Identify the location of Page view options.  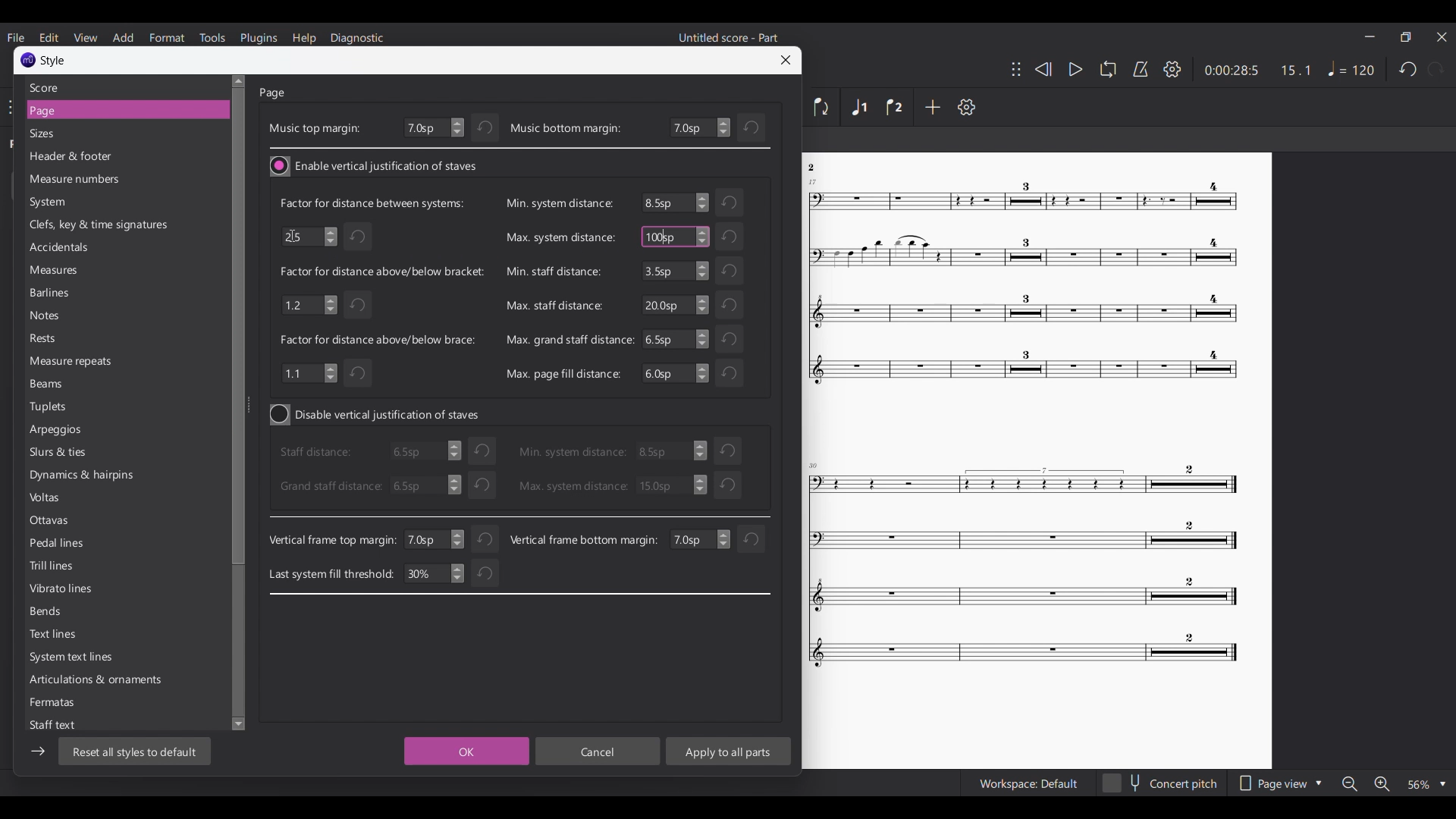
(1279, 783).